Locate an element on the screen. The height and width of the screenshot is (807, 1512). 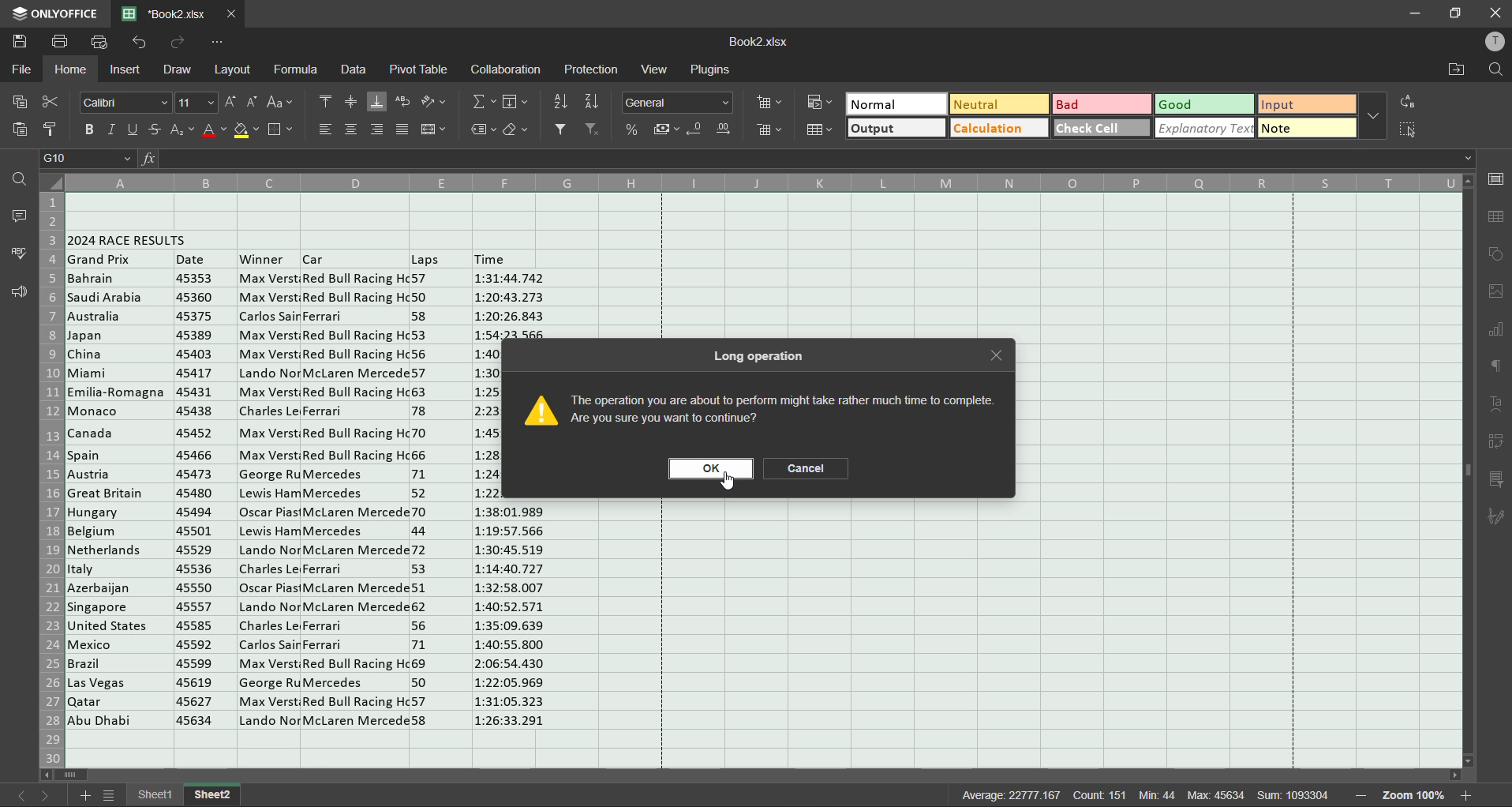
paragraph is located at coordinates (1494, 371).